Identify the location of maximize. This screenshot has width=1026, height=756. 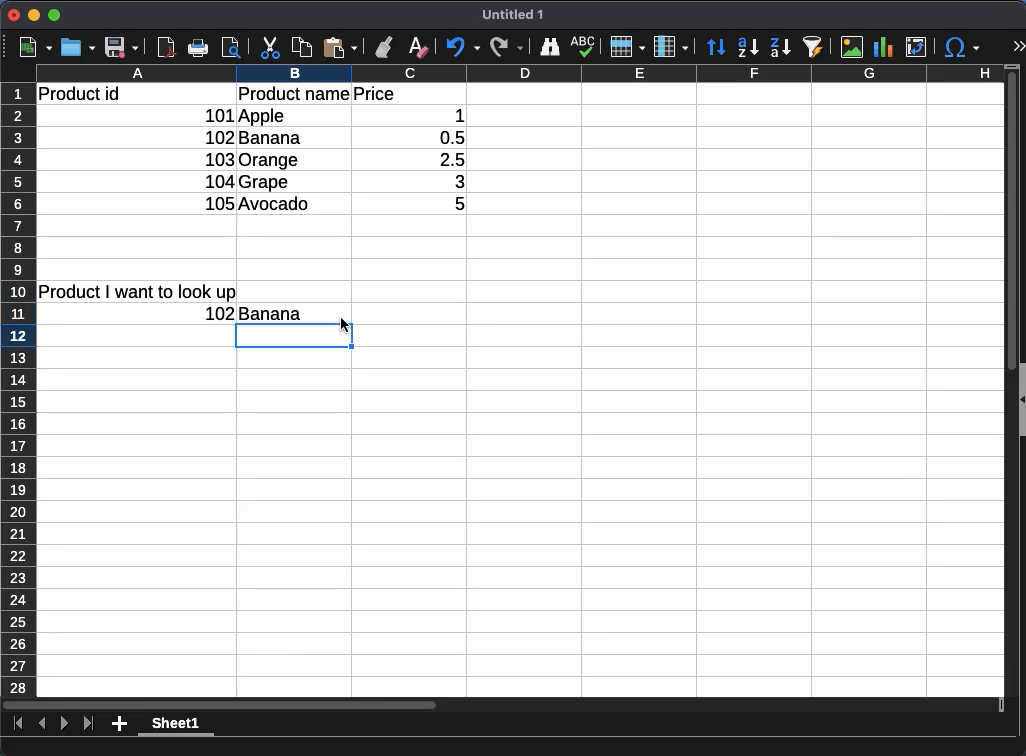
(54, 15).